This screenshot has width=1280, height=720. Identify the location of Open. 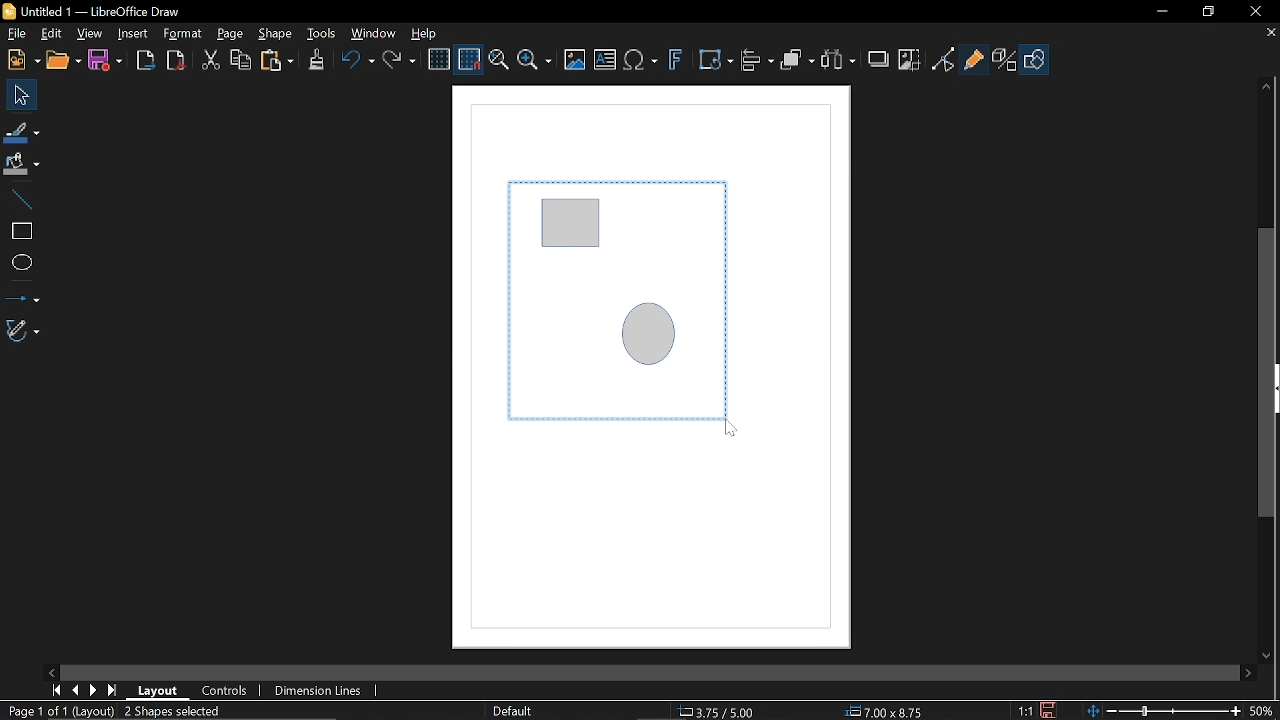
(63, 61).